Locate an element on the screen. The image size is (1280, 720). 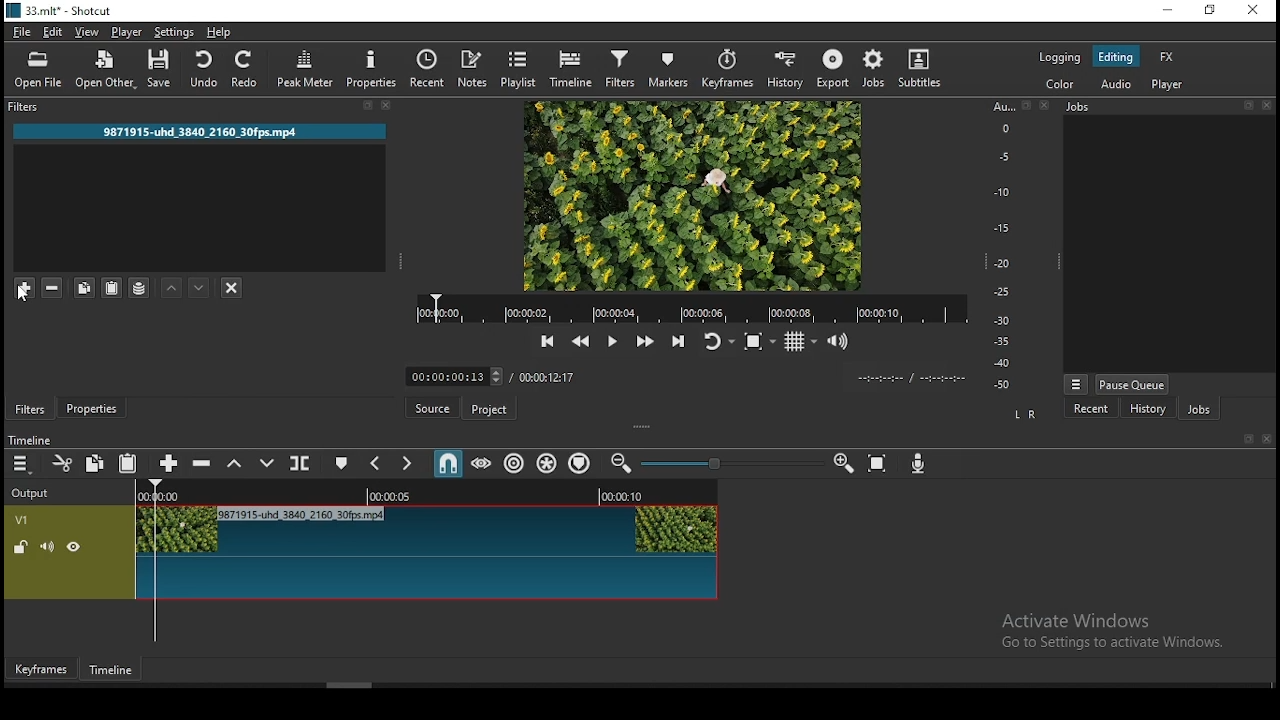
pause queue is located at coordinates (1132, 383).